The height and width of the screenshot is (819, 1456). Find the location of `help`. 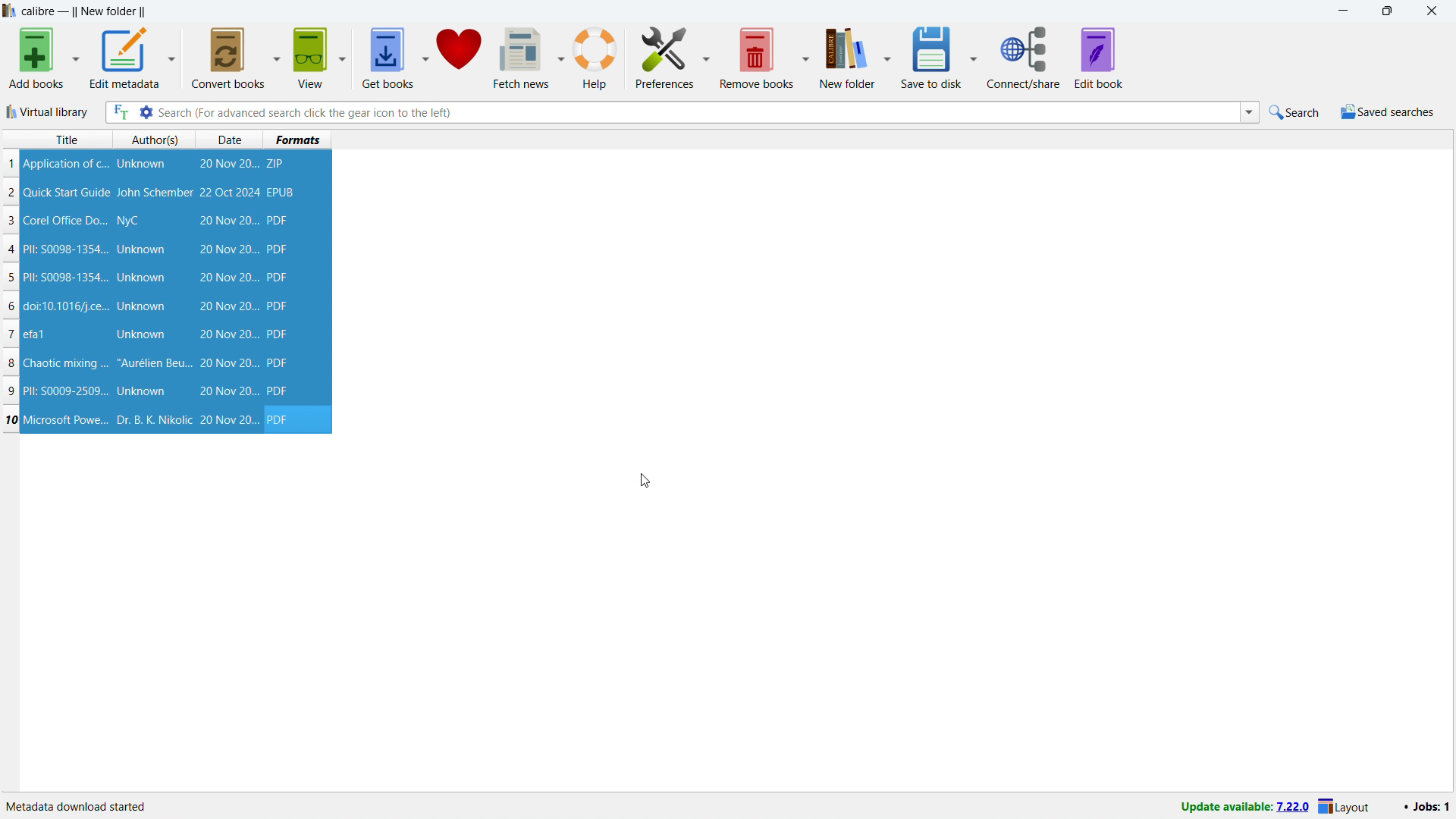

help is located at coordinates (597, 57).